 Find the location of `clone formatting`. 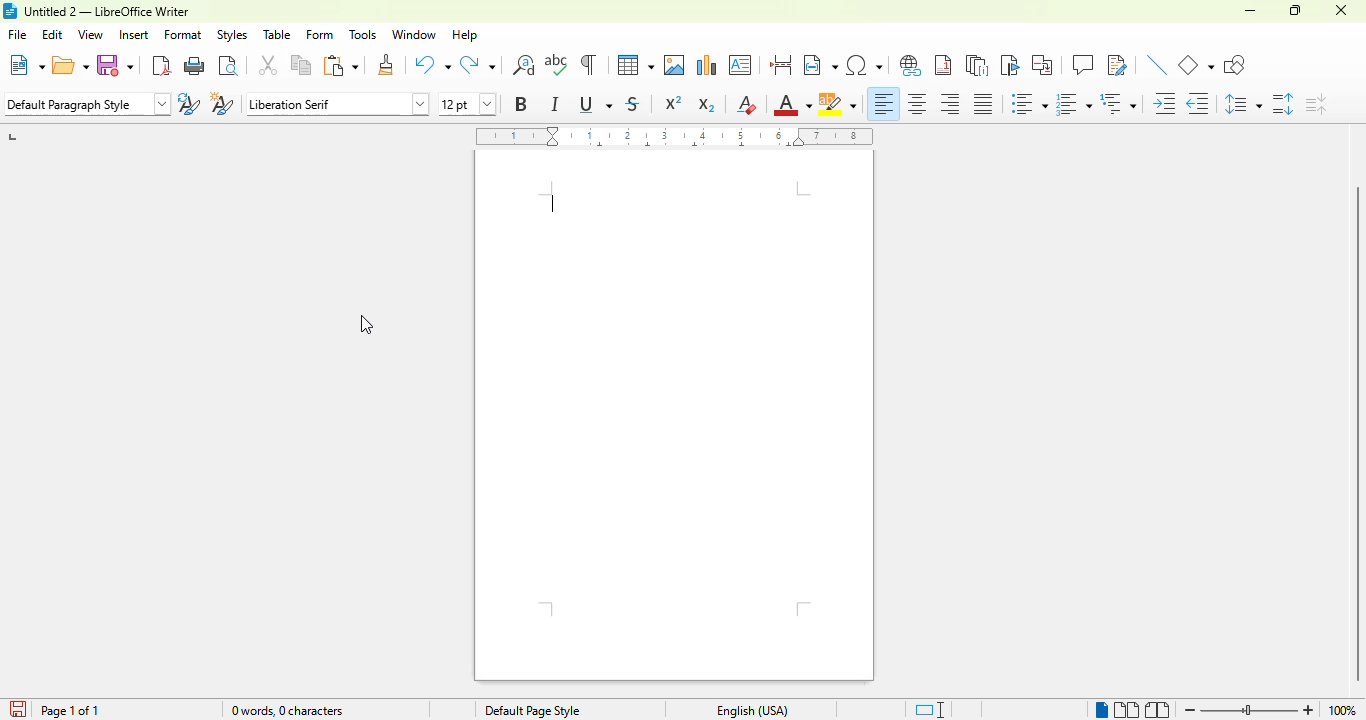

clone formatting is located at coordinates (386, 65).